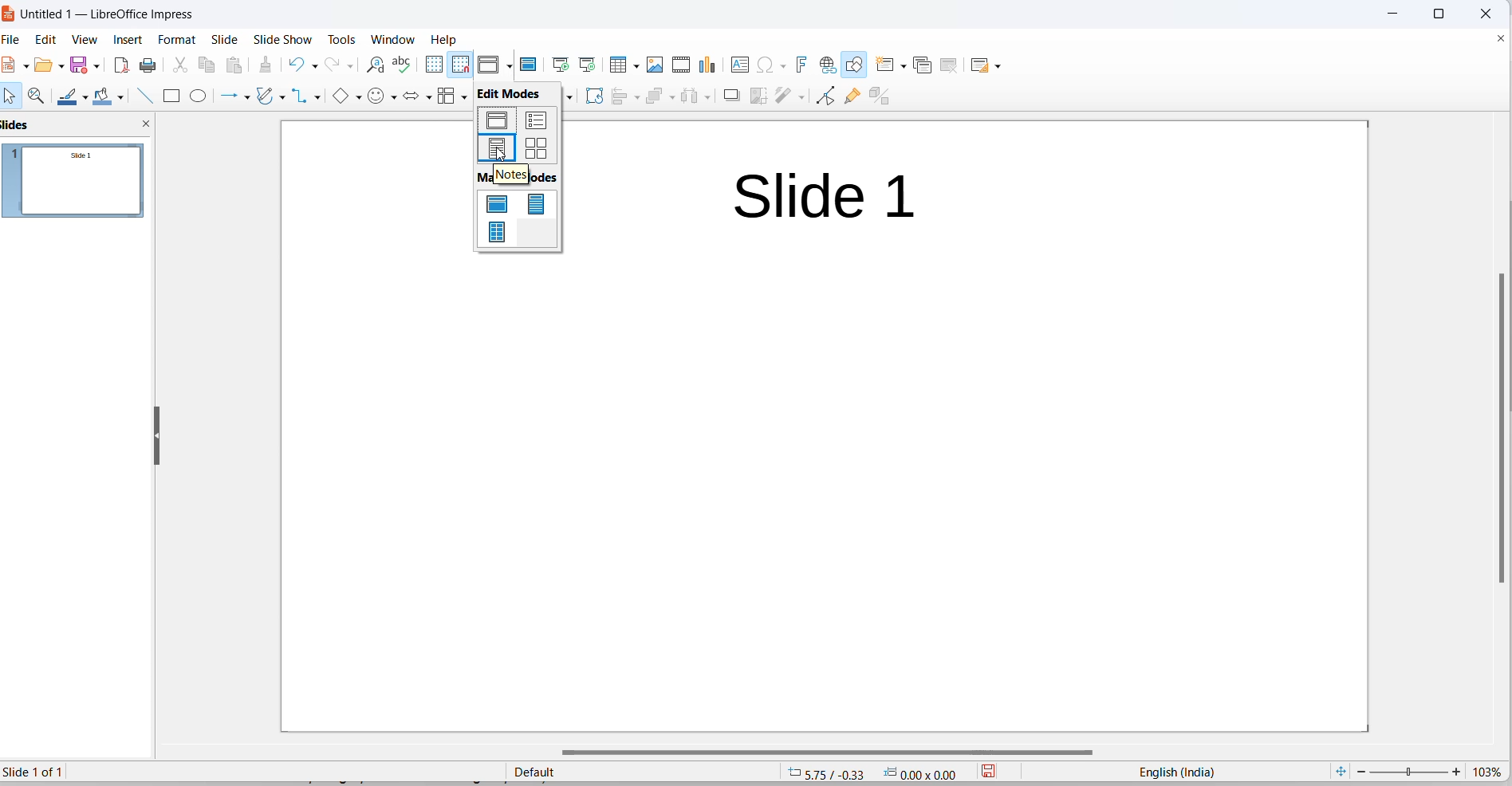  What do you see at coordinates (42, 69) in the screenshot?
I see `open` at bounding box center [42, 69].